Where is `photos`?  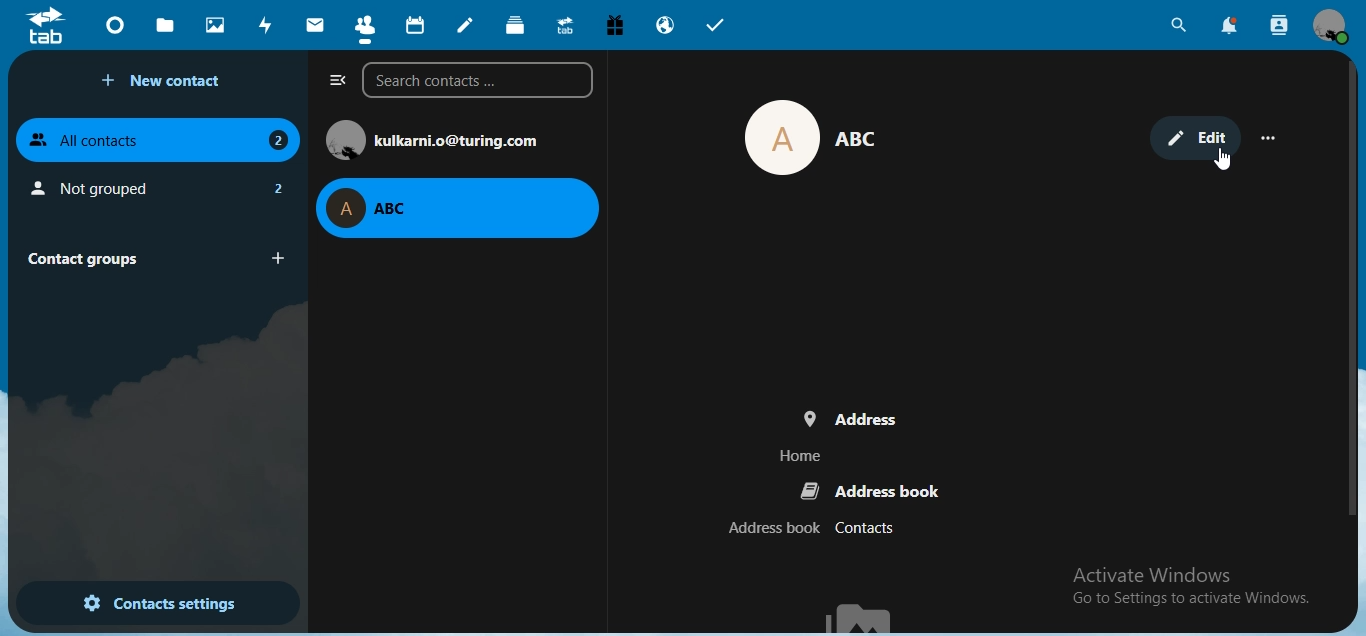
photos is located at coordinates (213, 24).